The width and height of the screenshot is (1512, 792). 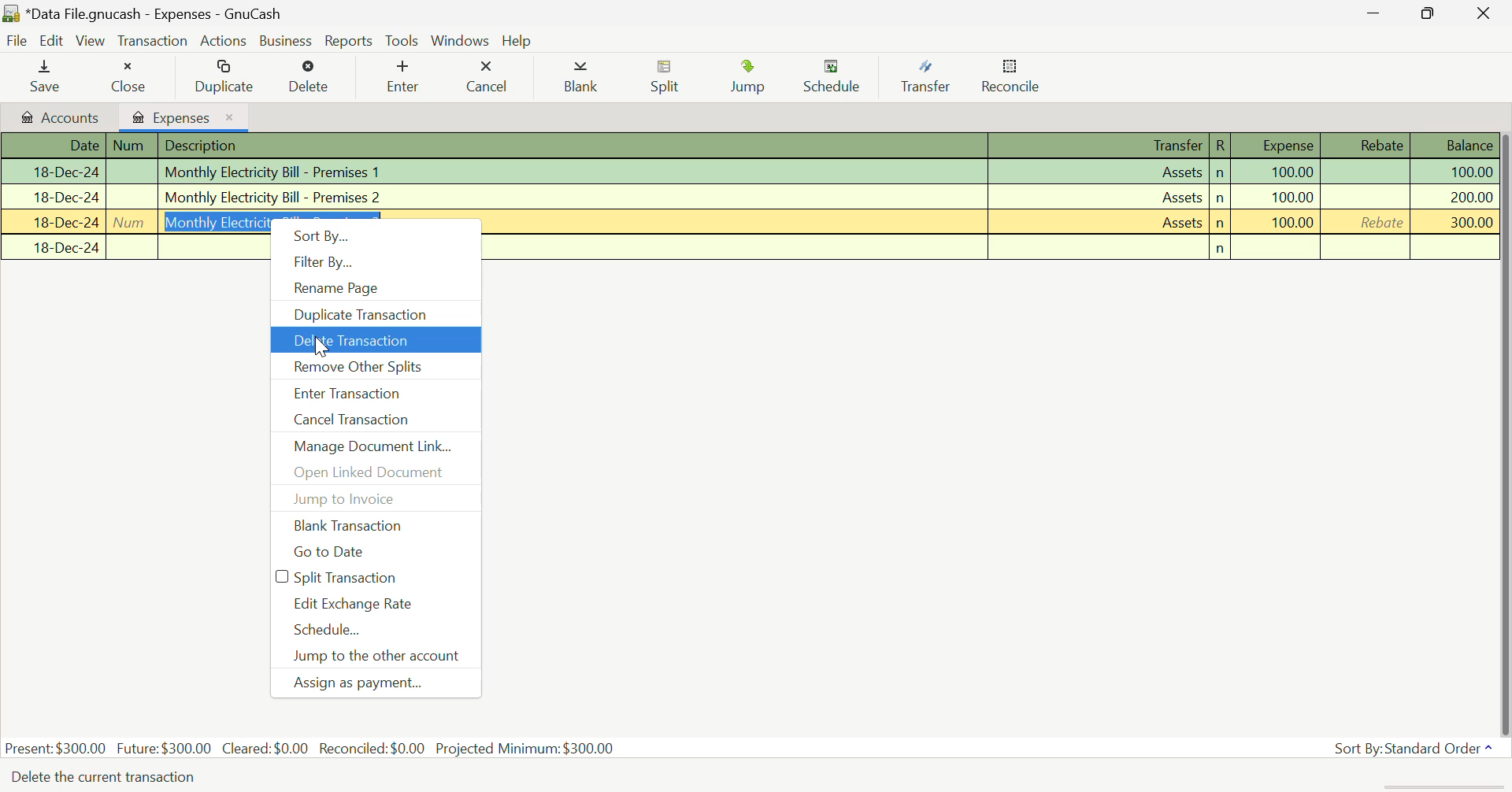 I want to click on Duplicate, so click(x=220, y=77).